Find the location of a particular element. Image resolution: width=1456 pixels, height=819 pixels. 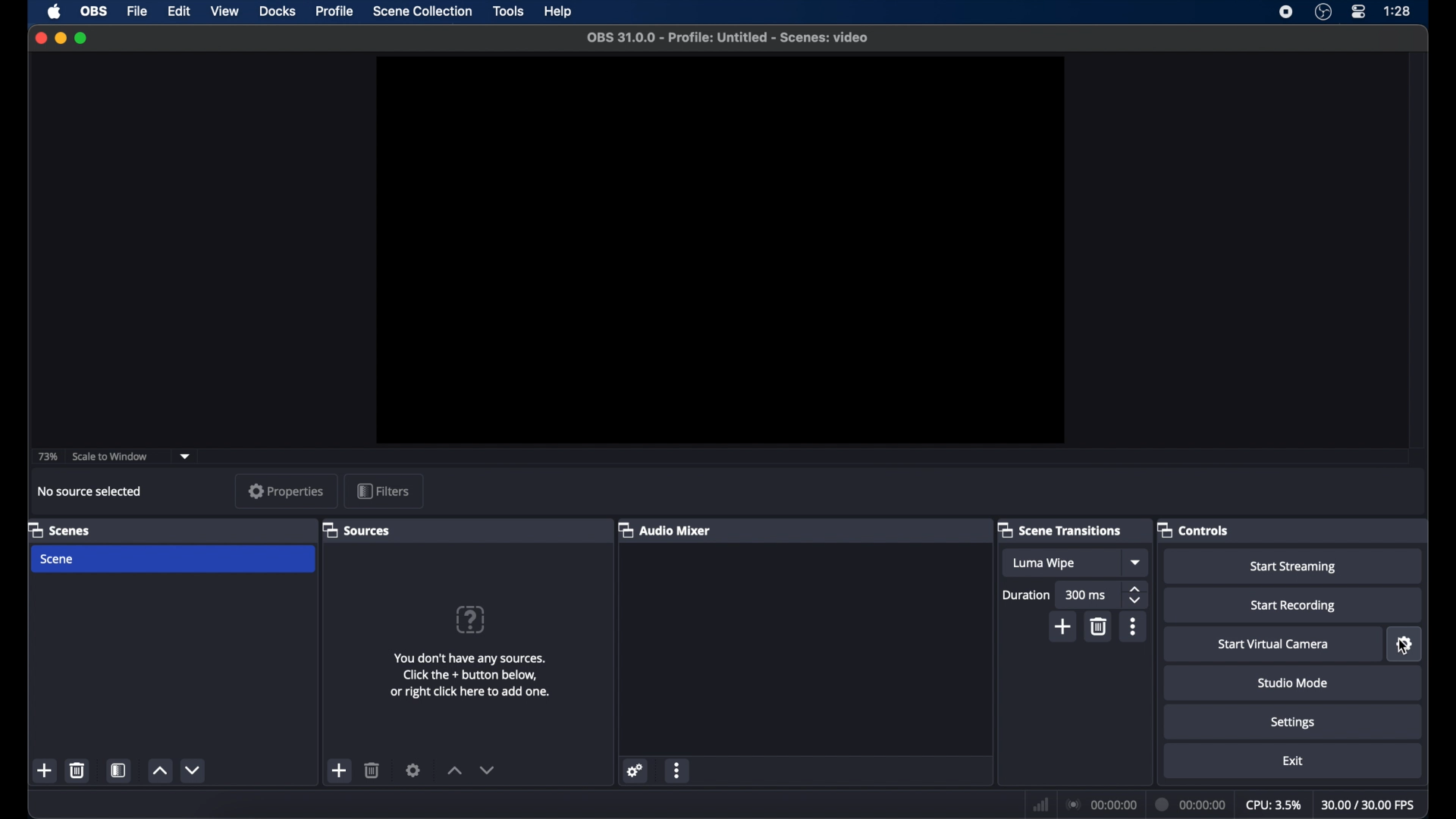

help is located at coordinates (560, 12).